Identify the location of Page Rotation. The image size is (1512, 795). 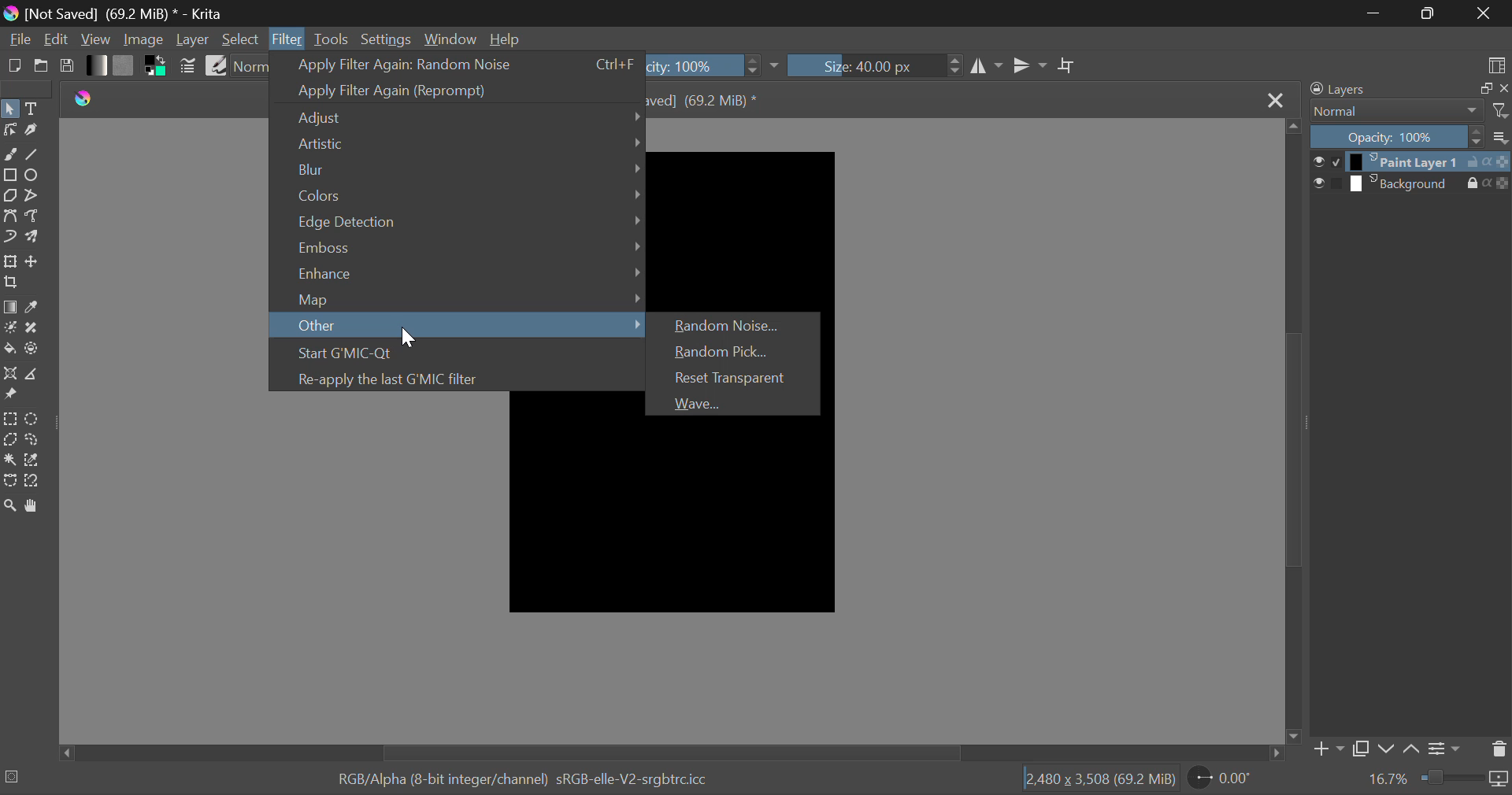
(1223, 780).